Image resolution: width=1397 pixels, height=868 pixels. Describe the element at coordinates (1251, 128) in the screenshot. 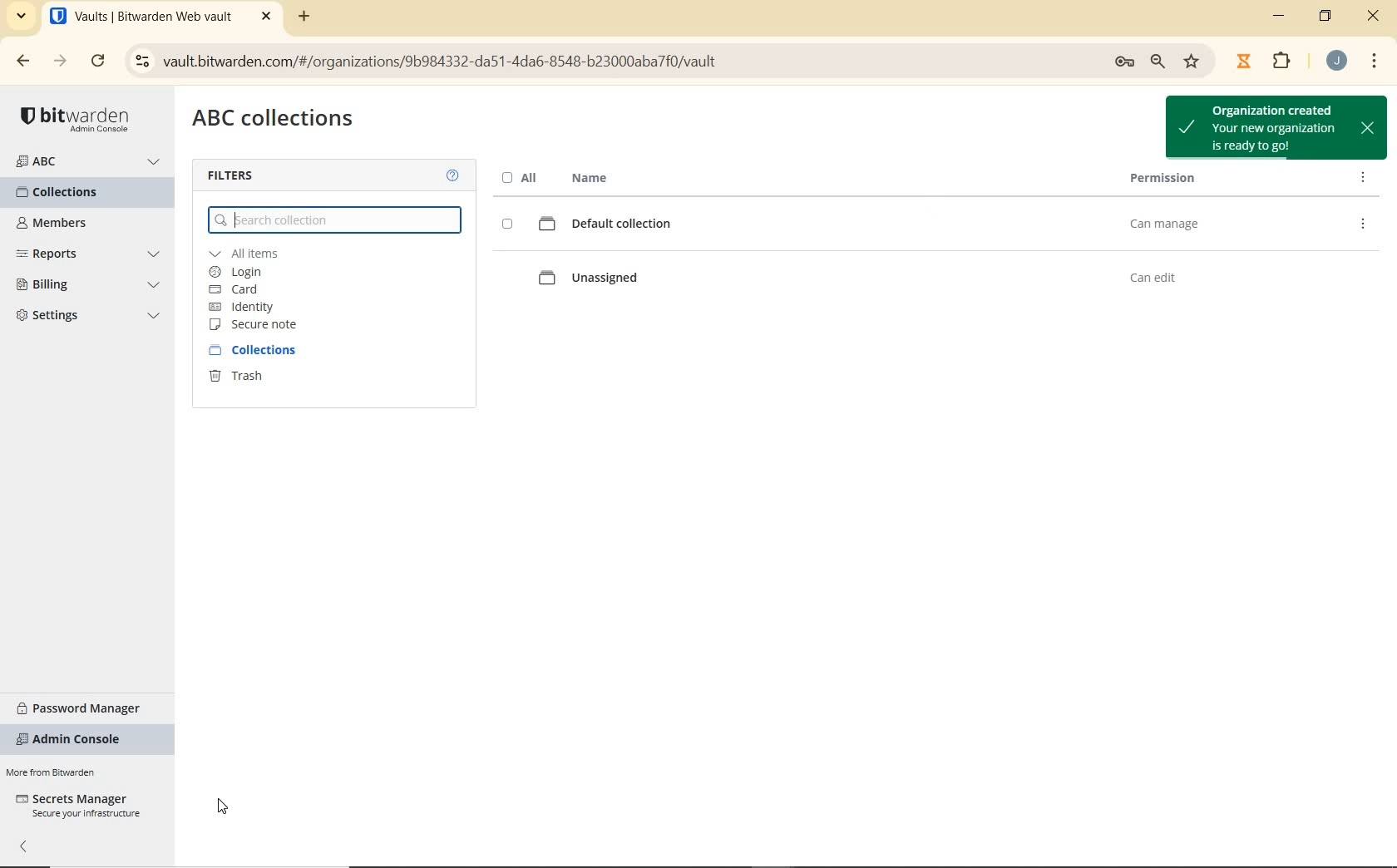

I see `organization created` at that location.